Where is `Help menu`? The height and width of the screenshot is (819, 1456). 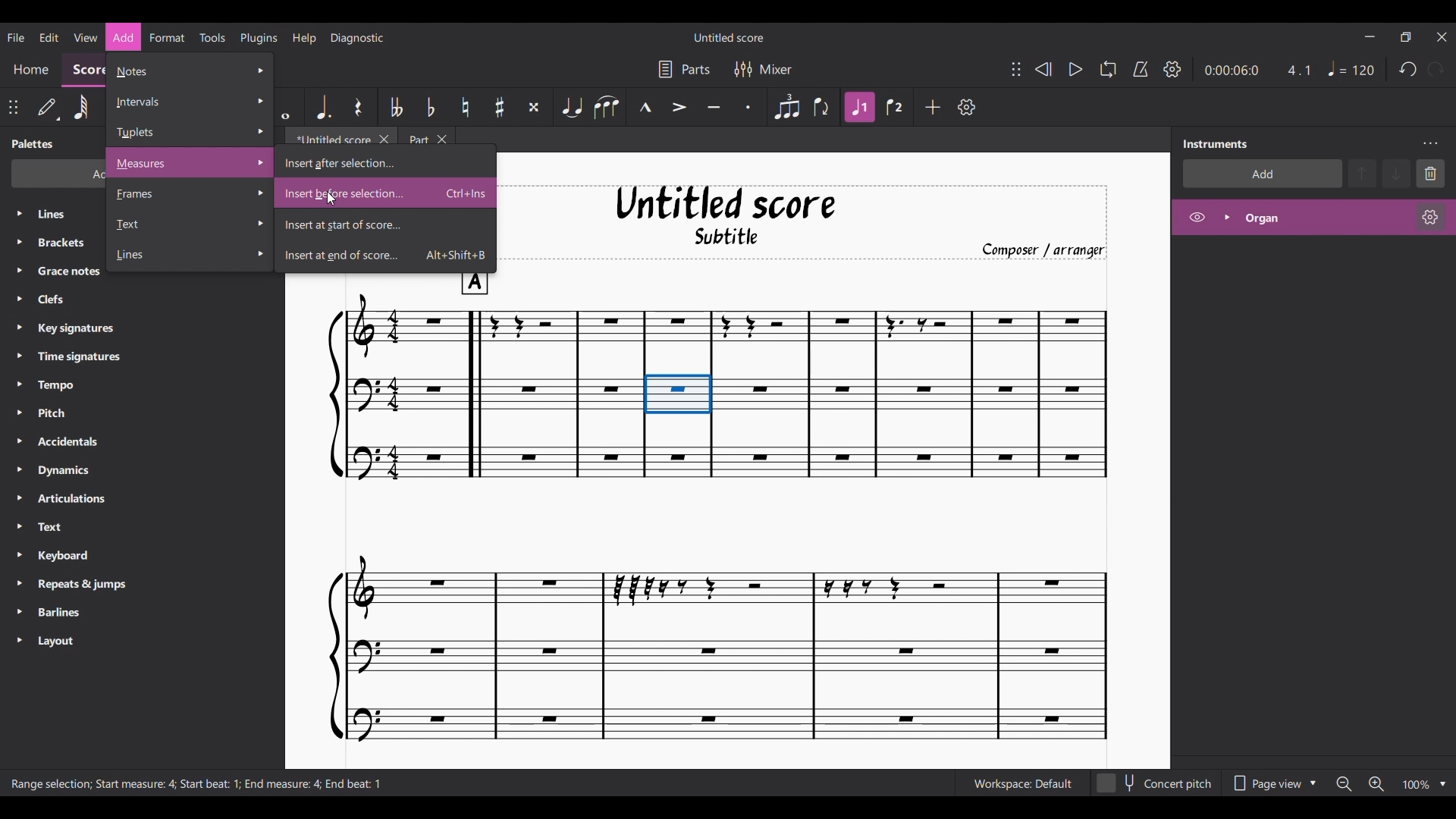
Help menu is located at coordinates (304, 38).